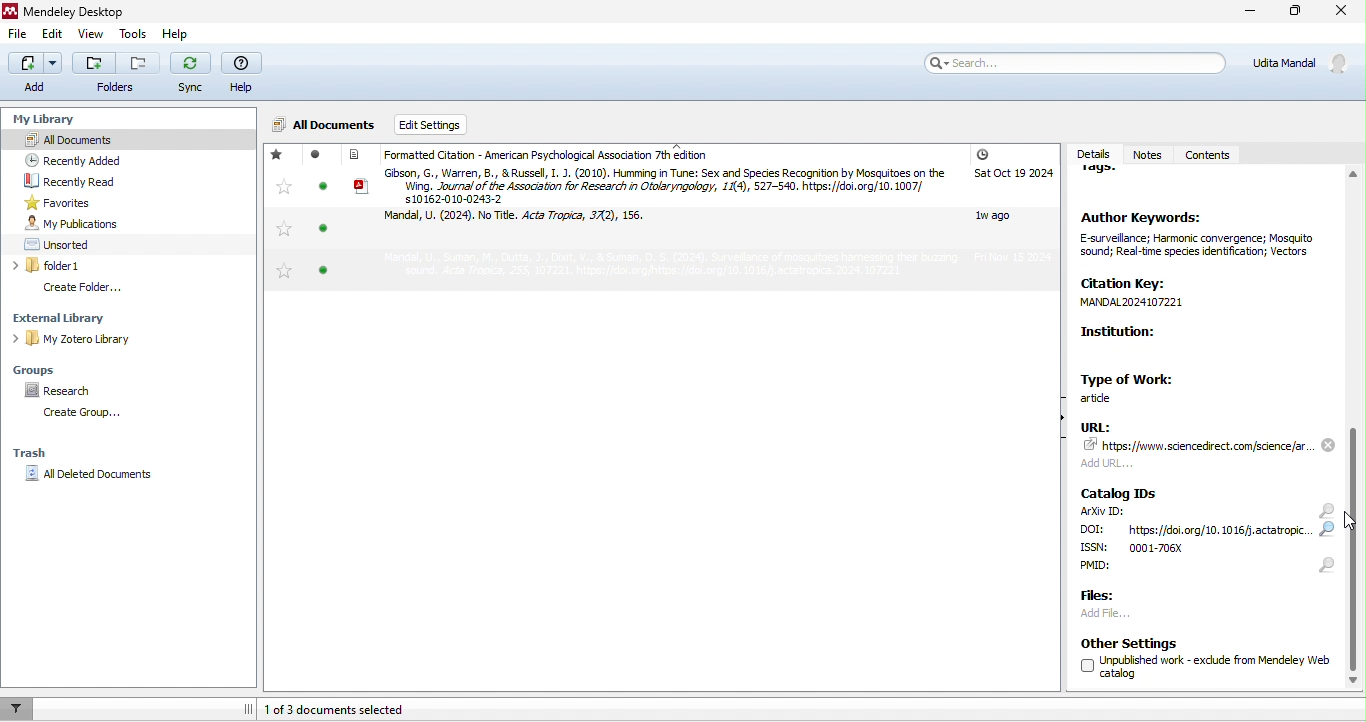 Image resolution: width=1366 pixels, height=722 pixels. Describe the element at coordinates (1305, 63) in the screenshot. I see `Udita Mandal` at that location.